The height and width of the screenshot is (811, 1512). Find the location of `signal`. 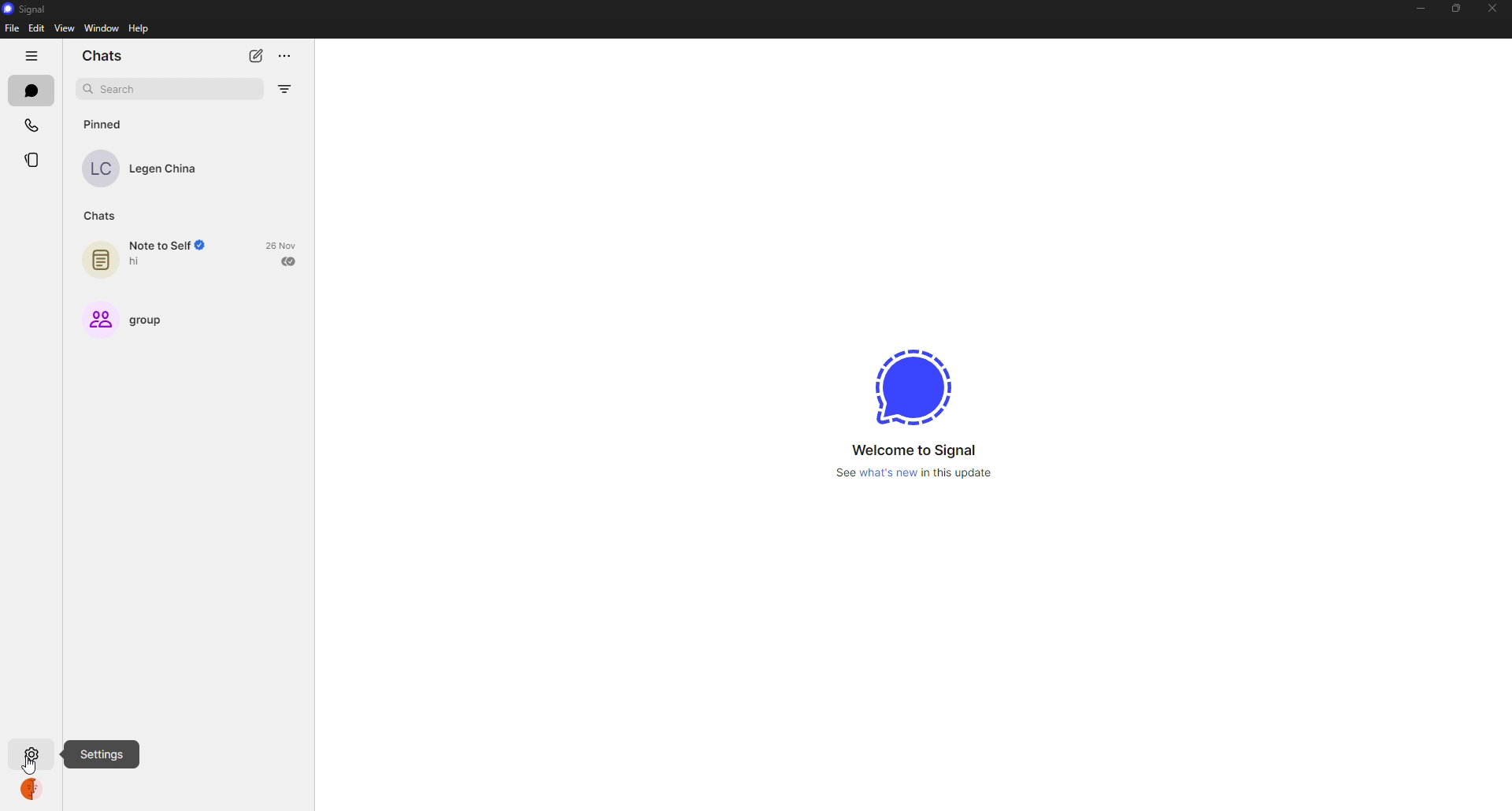

signal is located at coordinates (913, 387).